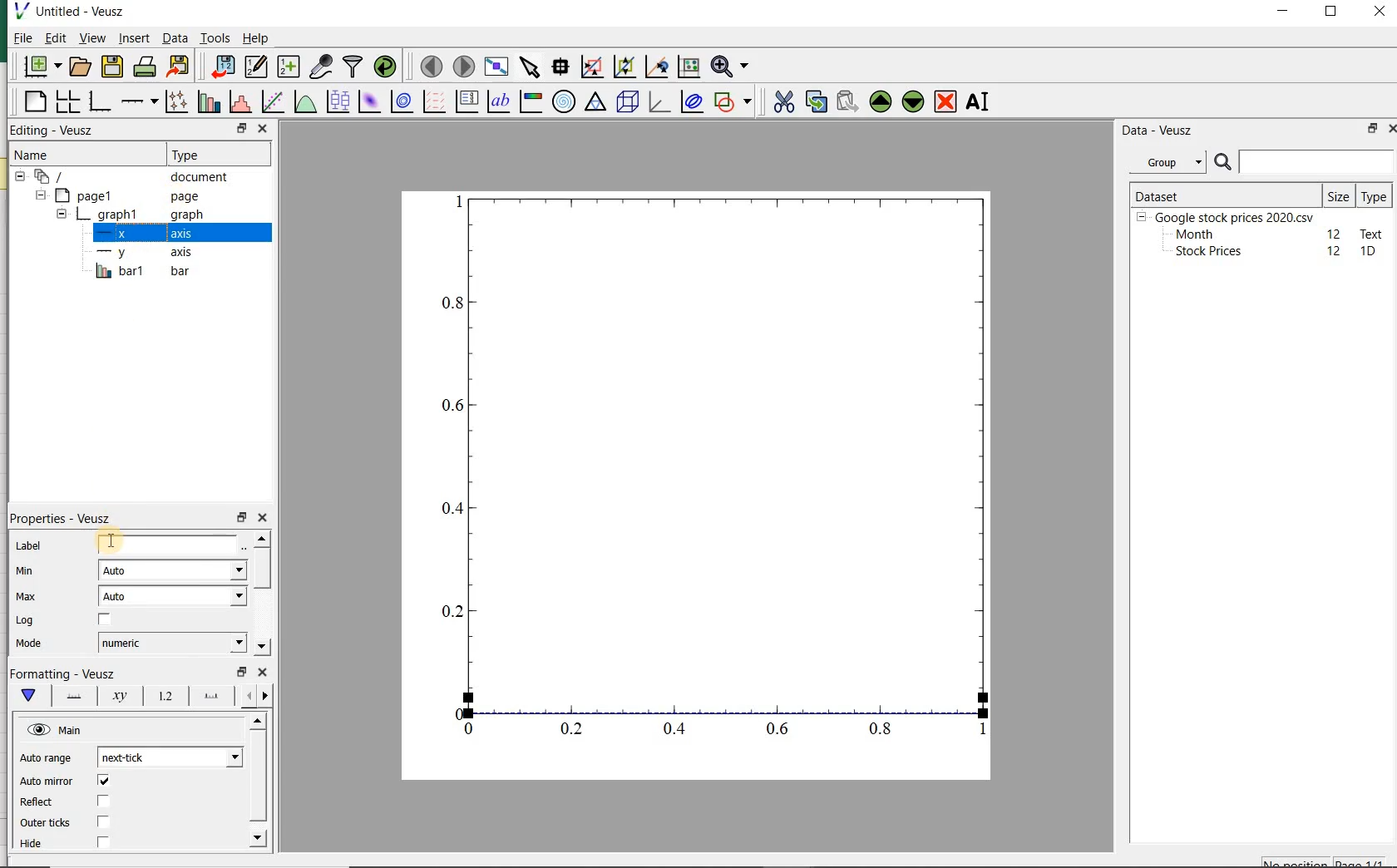 The width and height of the screenshot is (1397, 868). What do you see at coordinates (432, 103) in the screenshot?
I see `plot a vector field` at bounding box center [432, 103].